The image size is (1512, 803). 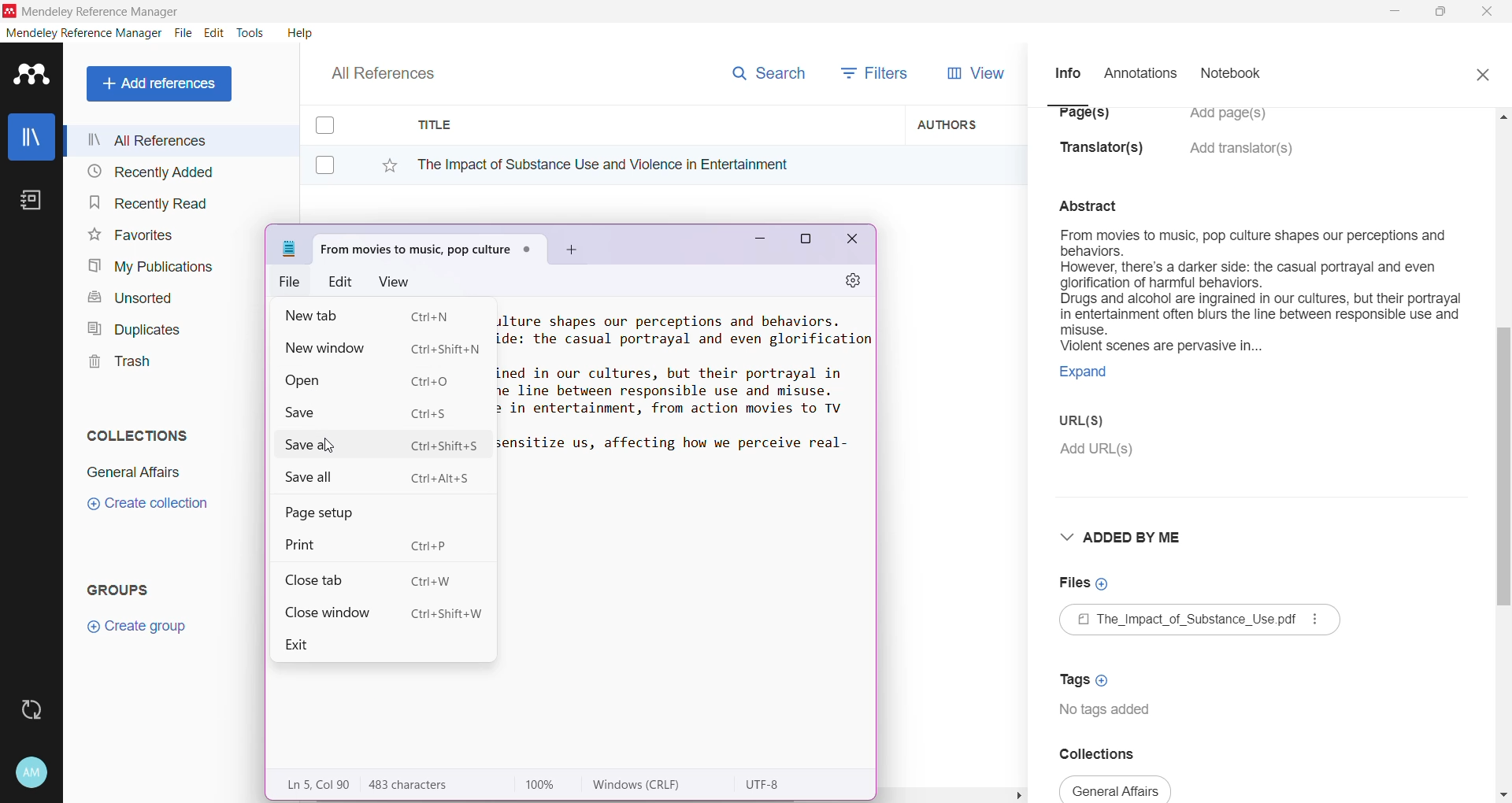 I want to click on Page(s), so click(x=1082, y=119).